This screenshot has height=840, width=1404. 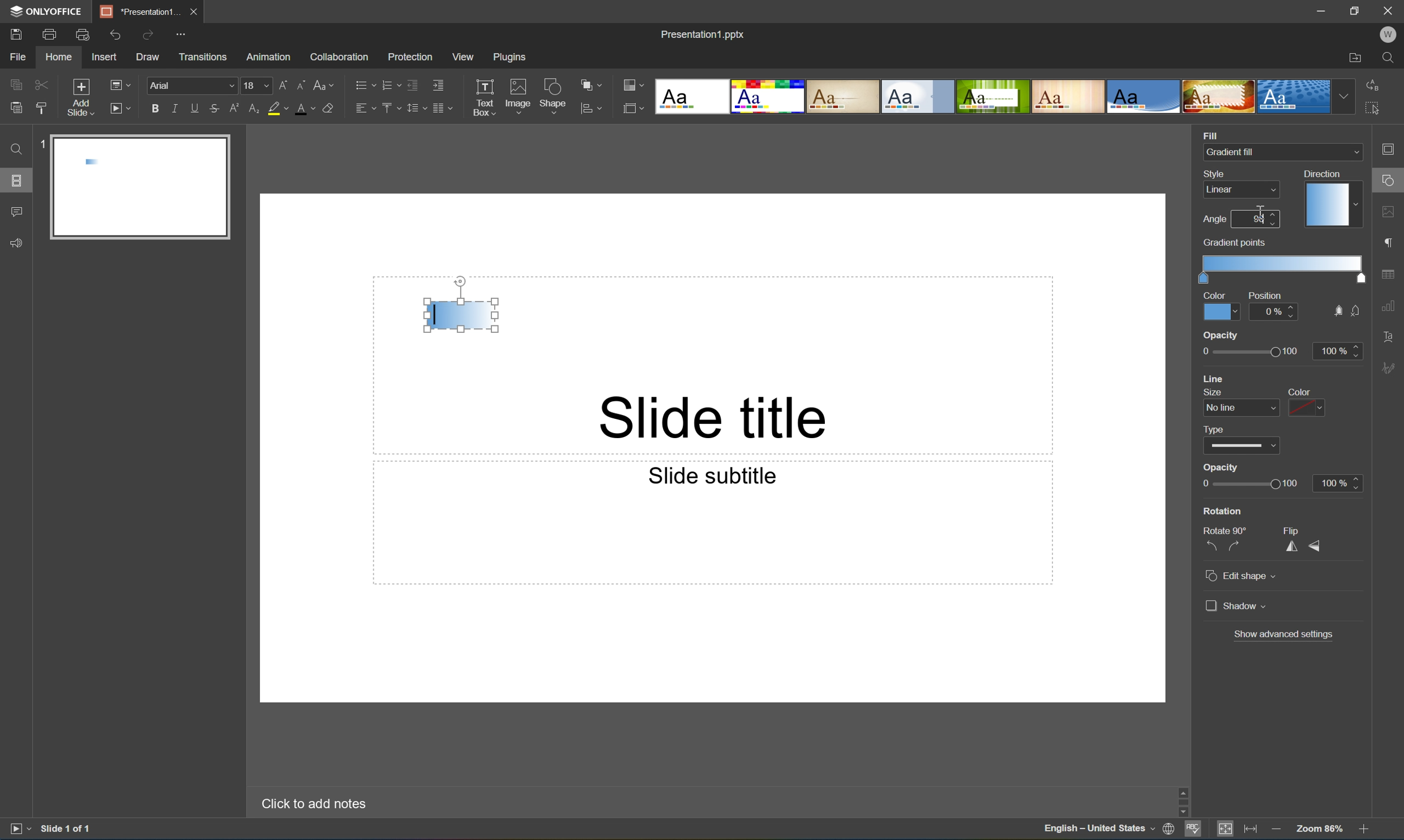 What do you see at coordinates (83, 35) in the screenshot?
I see `Print preview` at bounding box center [83, 35].